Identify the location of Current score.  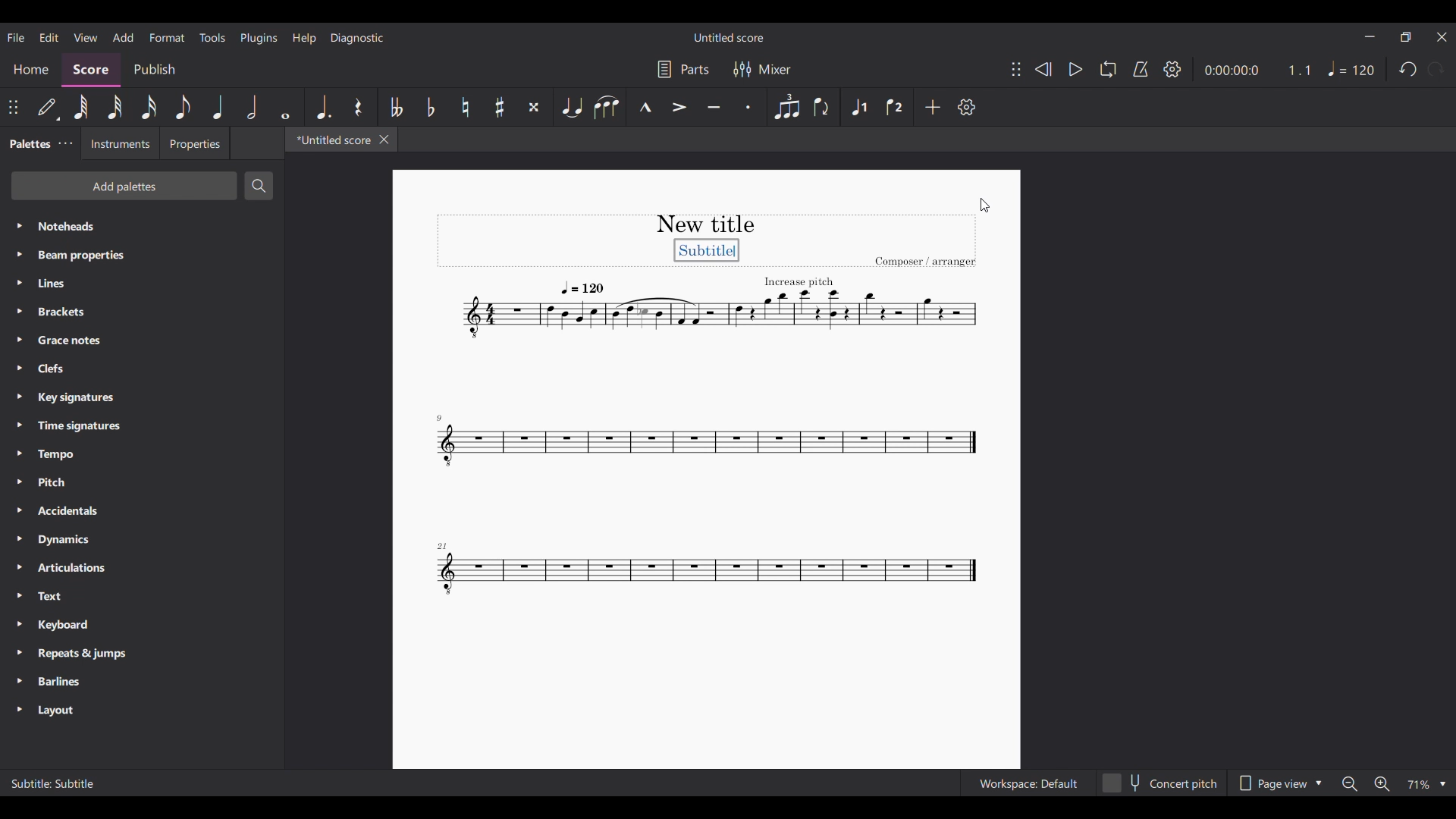
(706, 437).